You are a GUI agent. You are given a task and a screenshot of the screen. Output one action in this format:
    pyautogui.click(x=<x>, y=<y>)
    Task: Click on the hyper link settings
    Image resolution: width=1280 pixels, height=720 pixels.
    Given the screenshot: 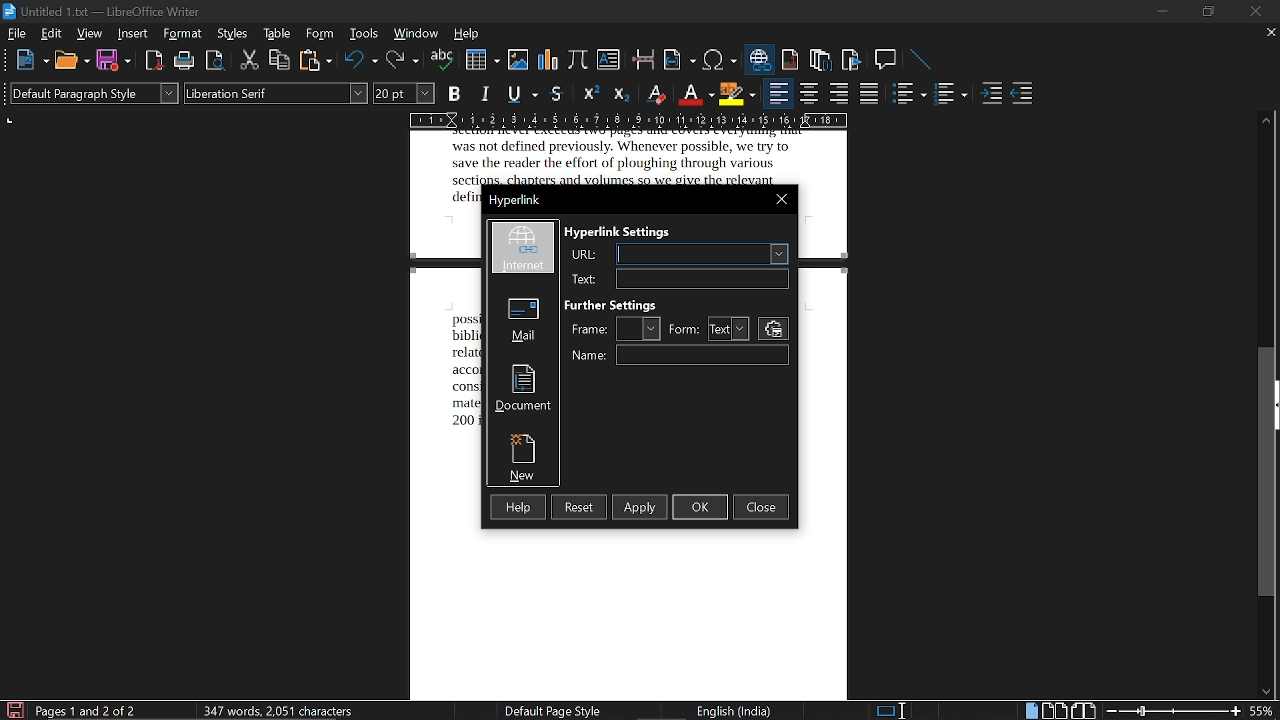 What is the action you would take?
    pyautogui.click(x=628, y=234)
    